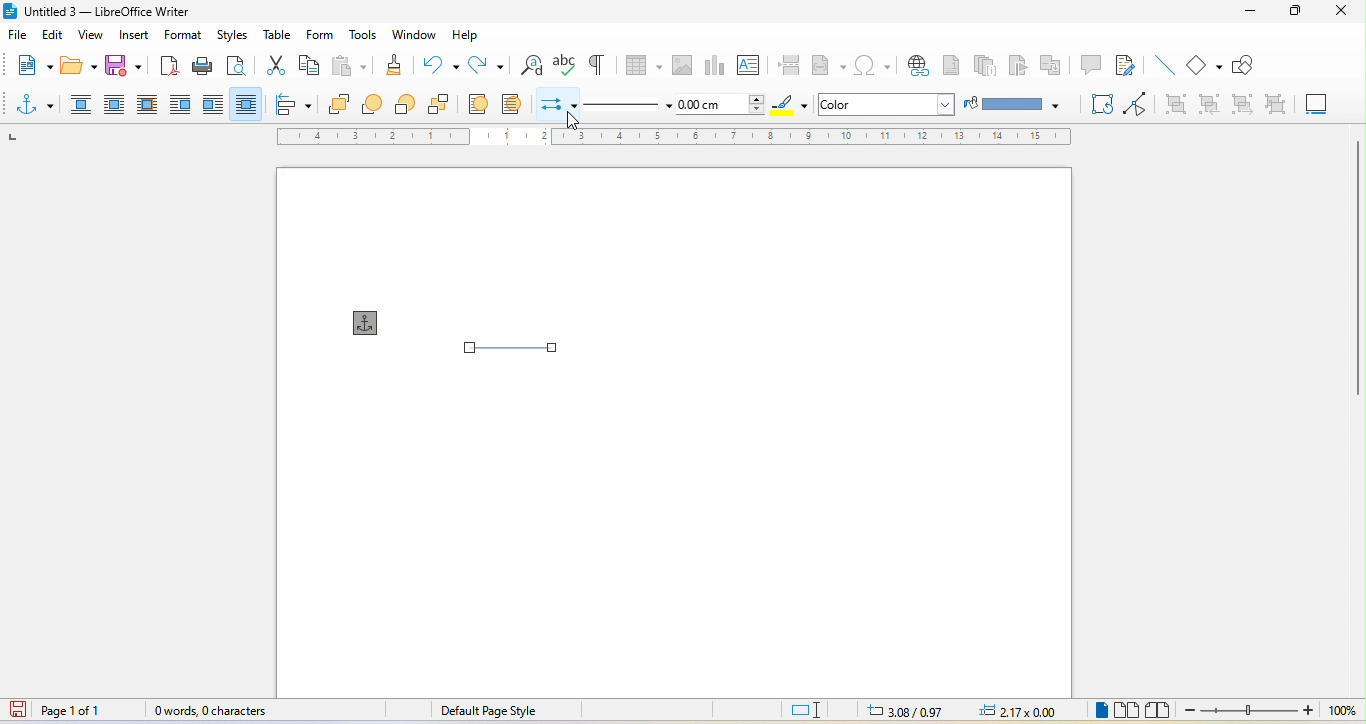 This screenshot has height=724, width=1366. Describe the element at coordinates (21, 36) in the screenshot. I see `file` at that location.